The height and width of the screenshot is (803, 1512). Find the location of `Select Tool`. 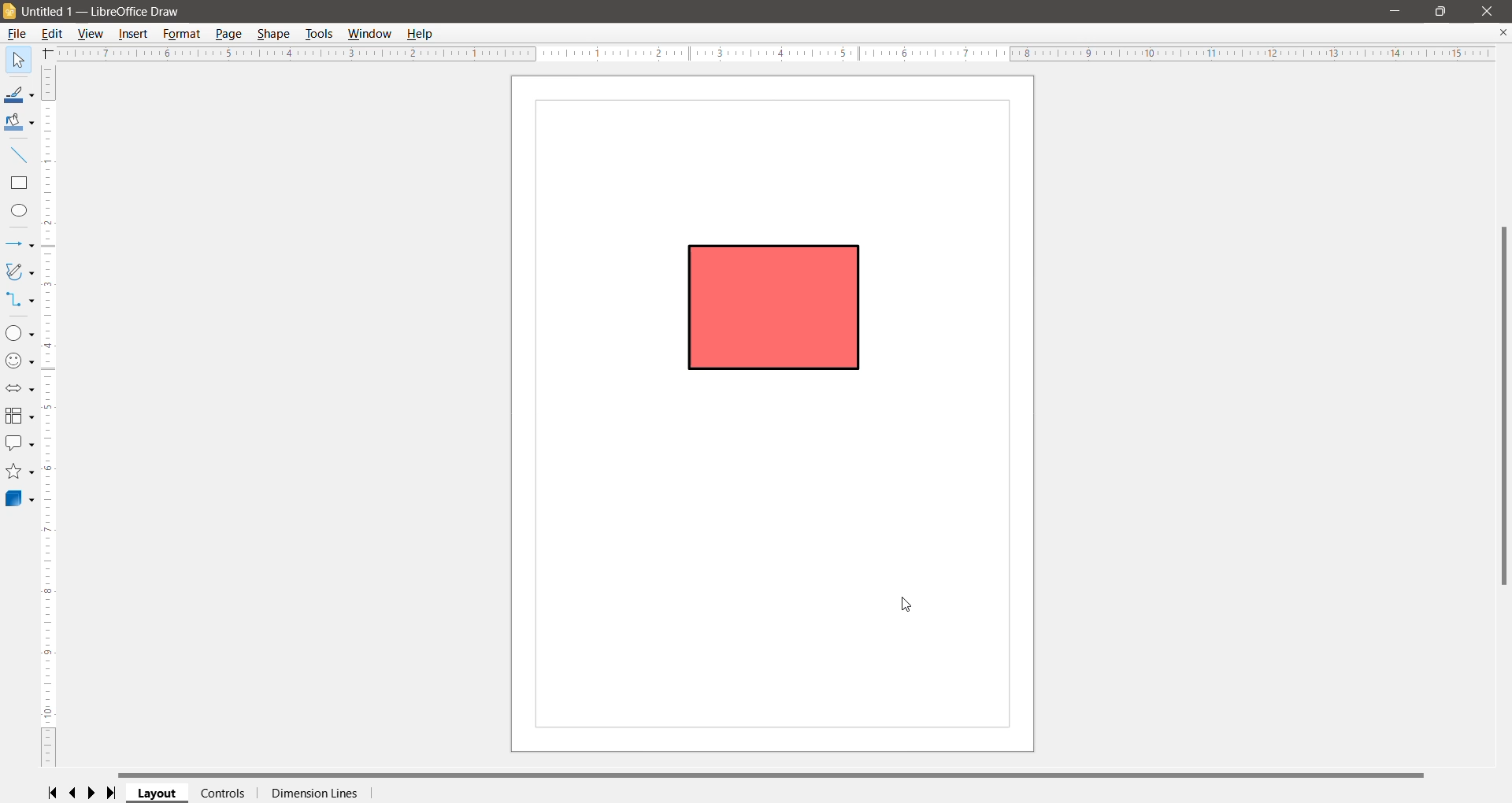

Select Tool is located at coordinates (20, 60).